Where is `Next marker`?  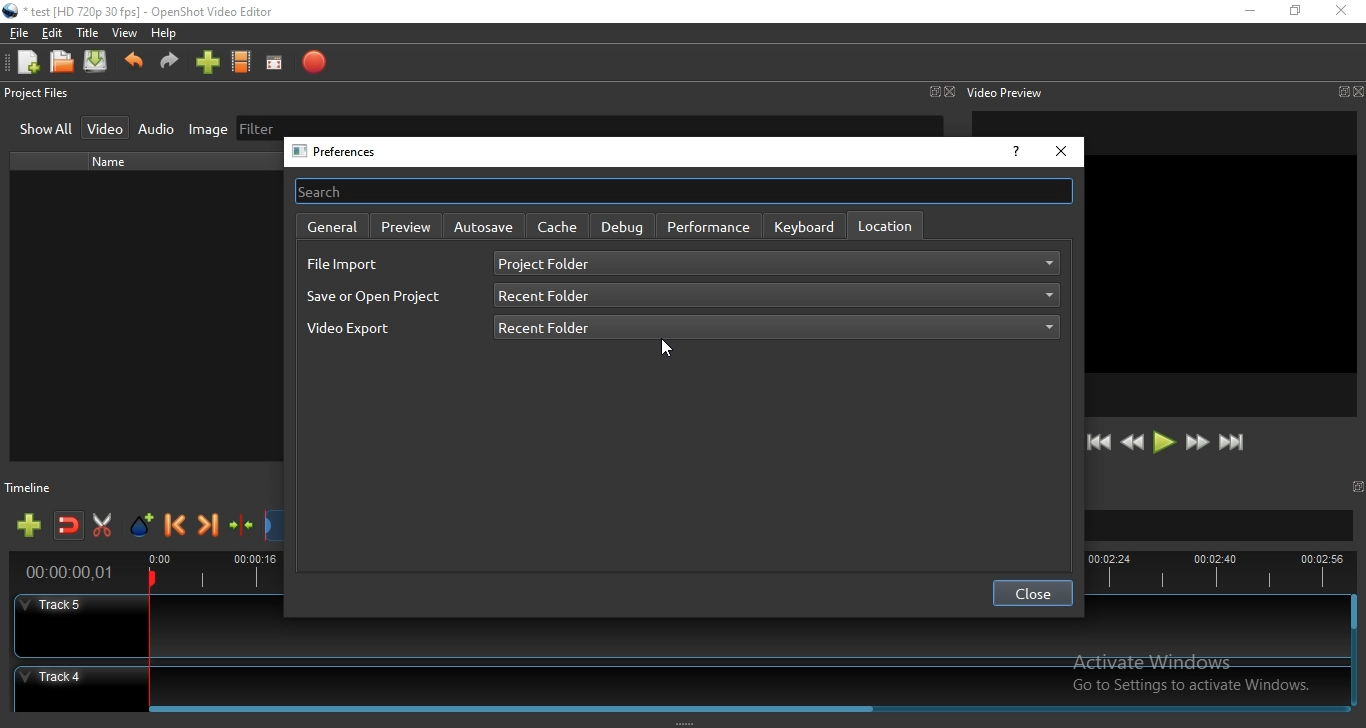 Next marker is located at coordinates (209, 528).